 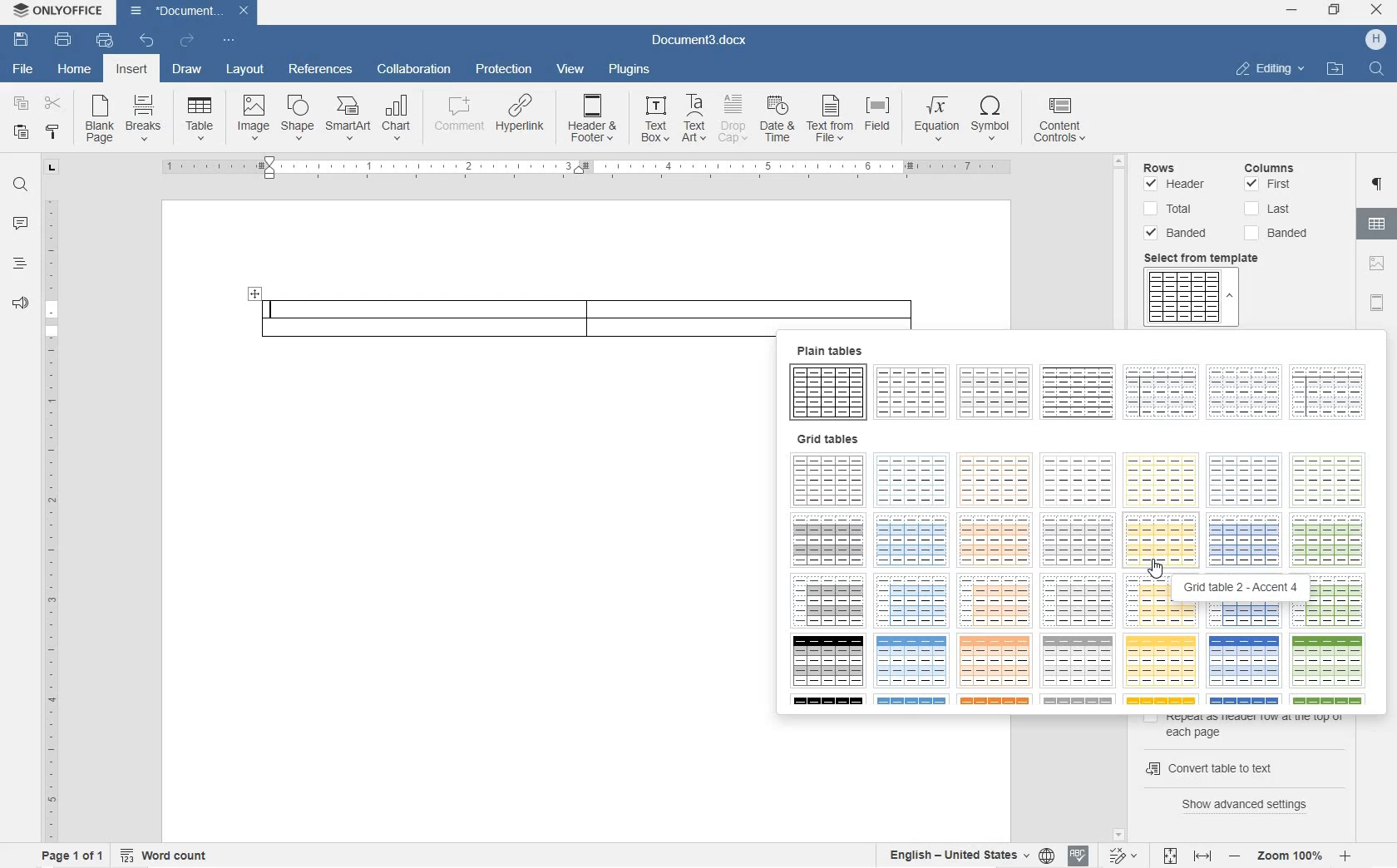 I want to click on FIT TO PAGE OR WIDTH, so click(x=1187, y=857).